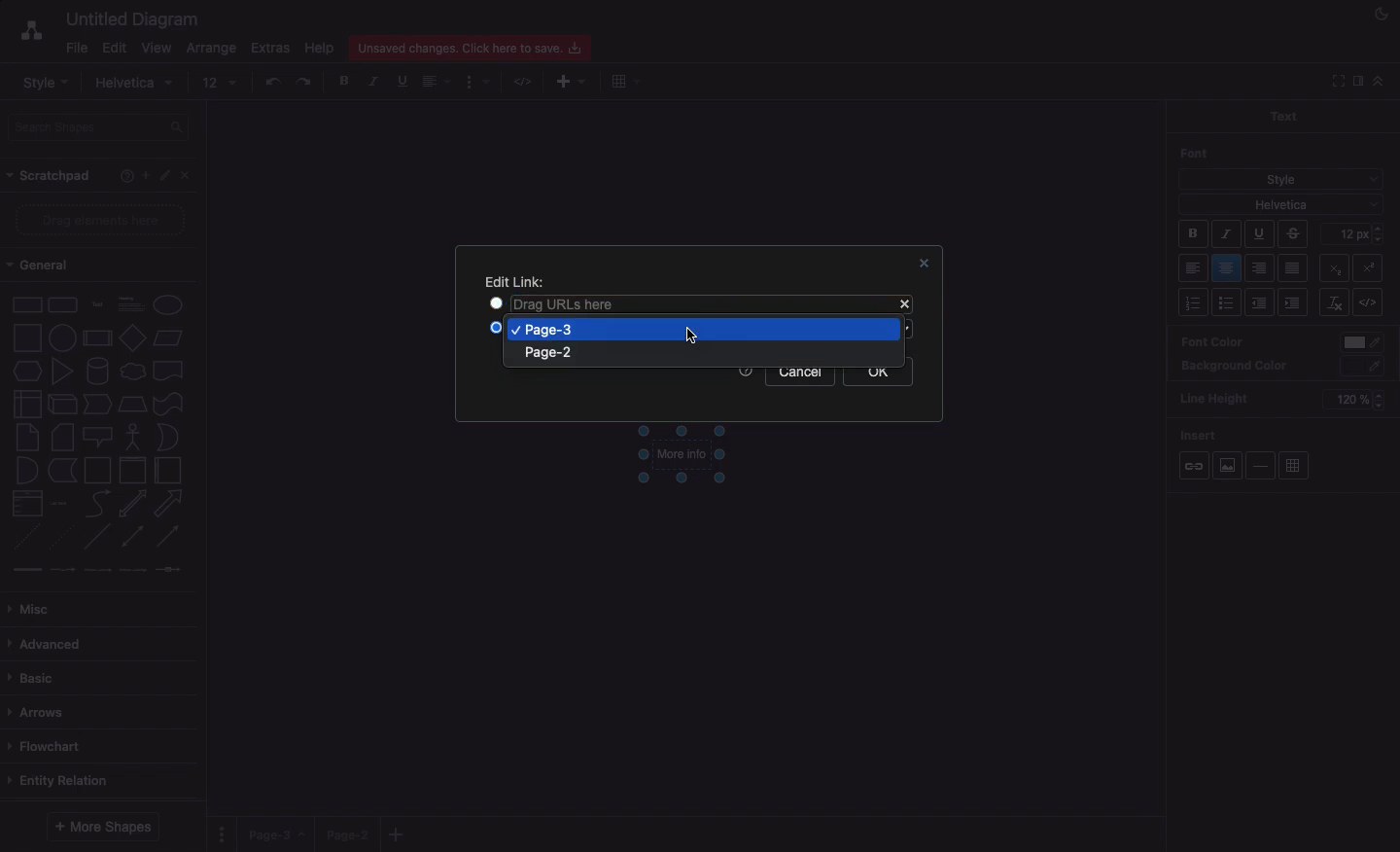  I want to click on Superscript , so click(1333, 266).